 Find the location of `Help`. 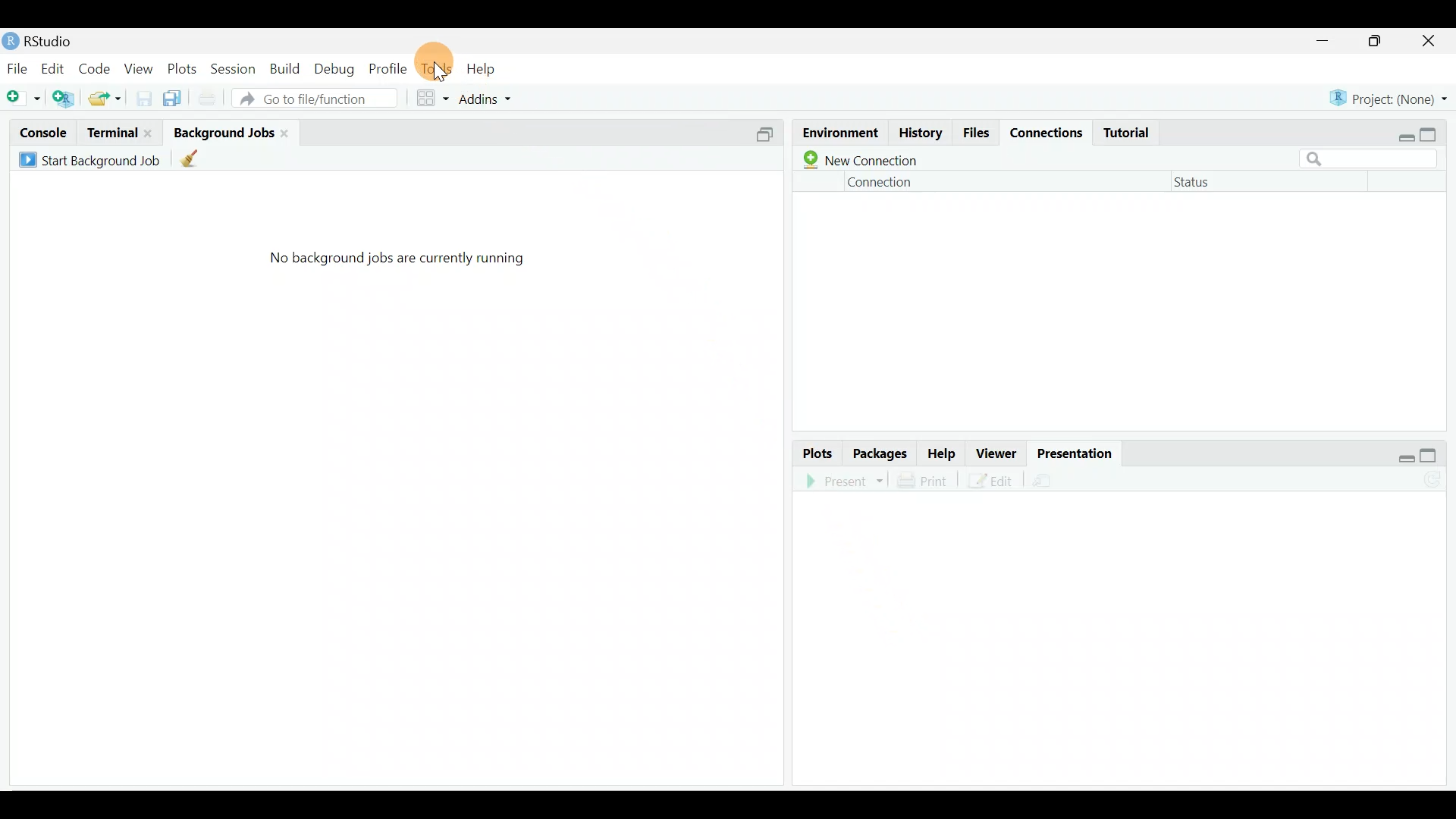

Help is located at coordinates (483, 69).